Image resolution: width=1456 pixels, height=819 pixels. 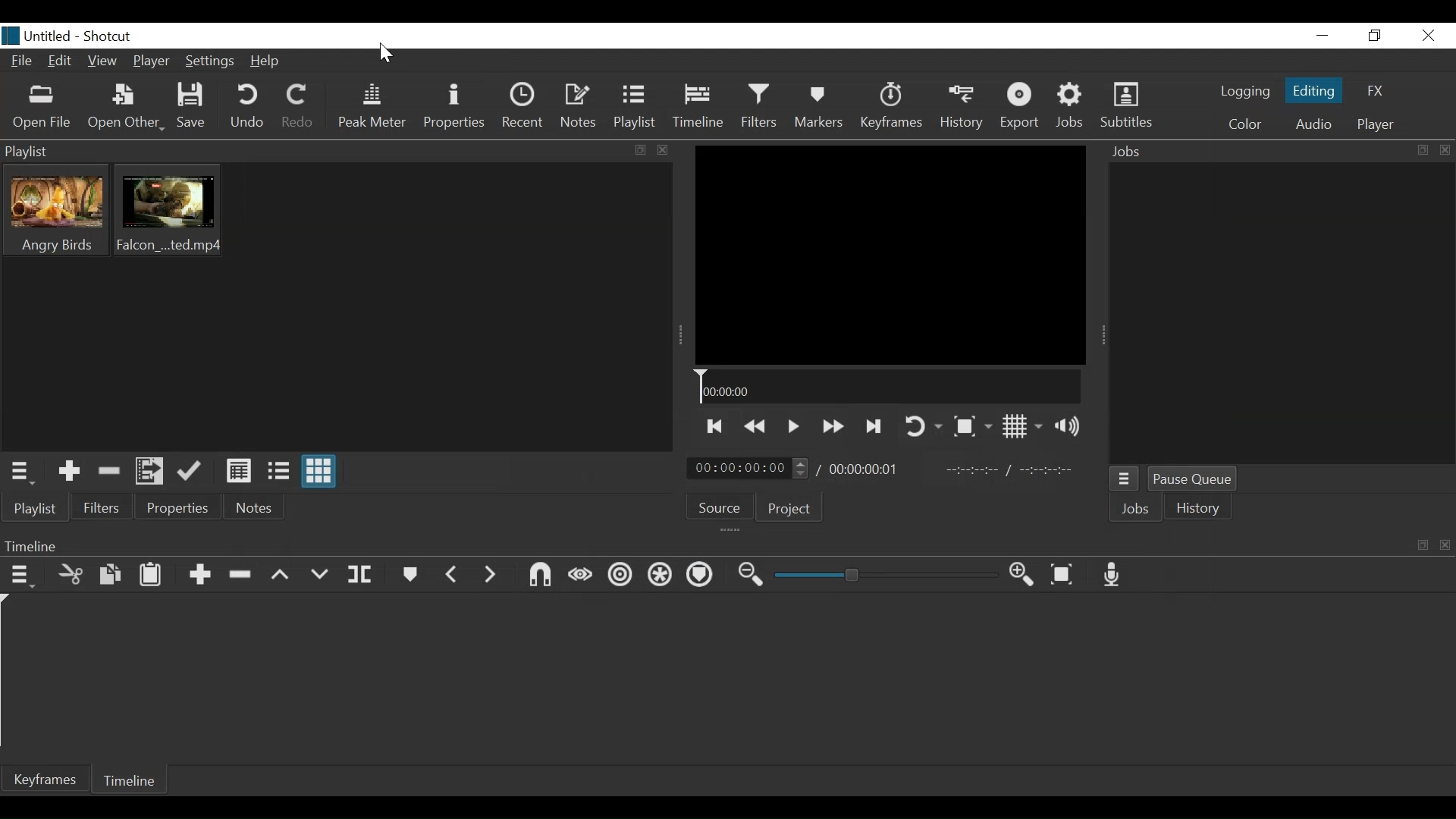 What do you see at coordinates (1138, 510) in the screenshot?
I see `Jobs` at bounding box center [1138, 510].